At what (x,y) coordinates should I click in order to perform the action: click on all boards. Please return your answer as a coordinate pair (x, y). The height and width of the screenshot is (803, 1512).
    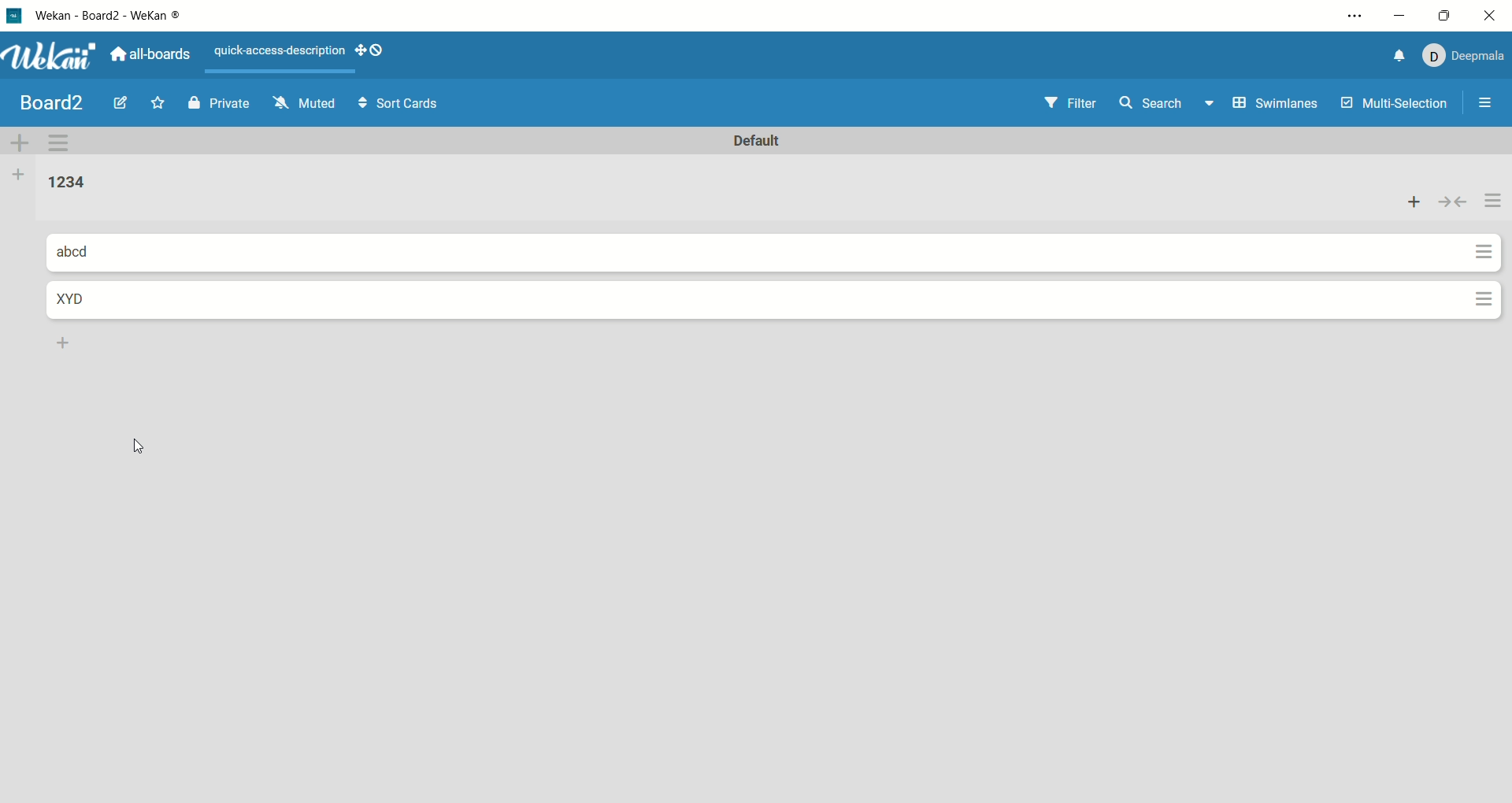
    Looking at the image, I should click on (154, 55).